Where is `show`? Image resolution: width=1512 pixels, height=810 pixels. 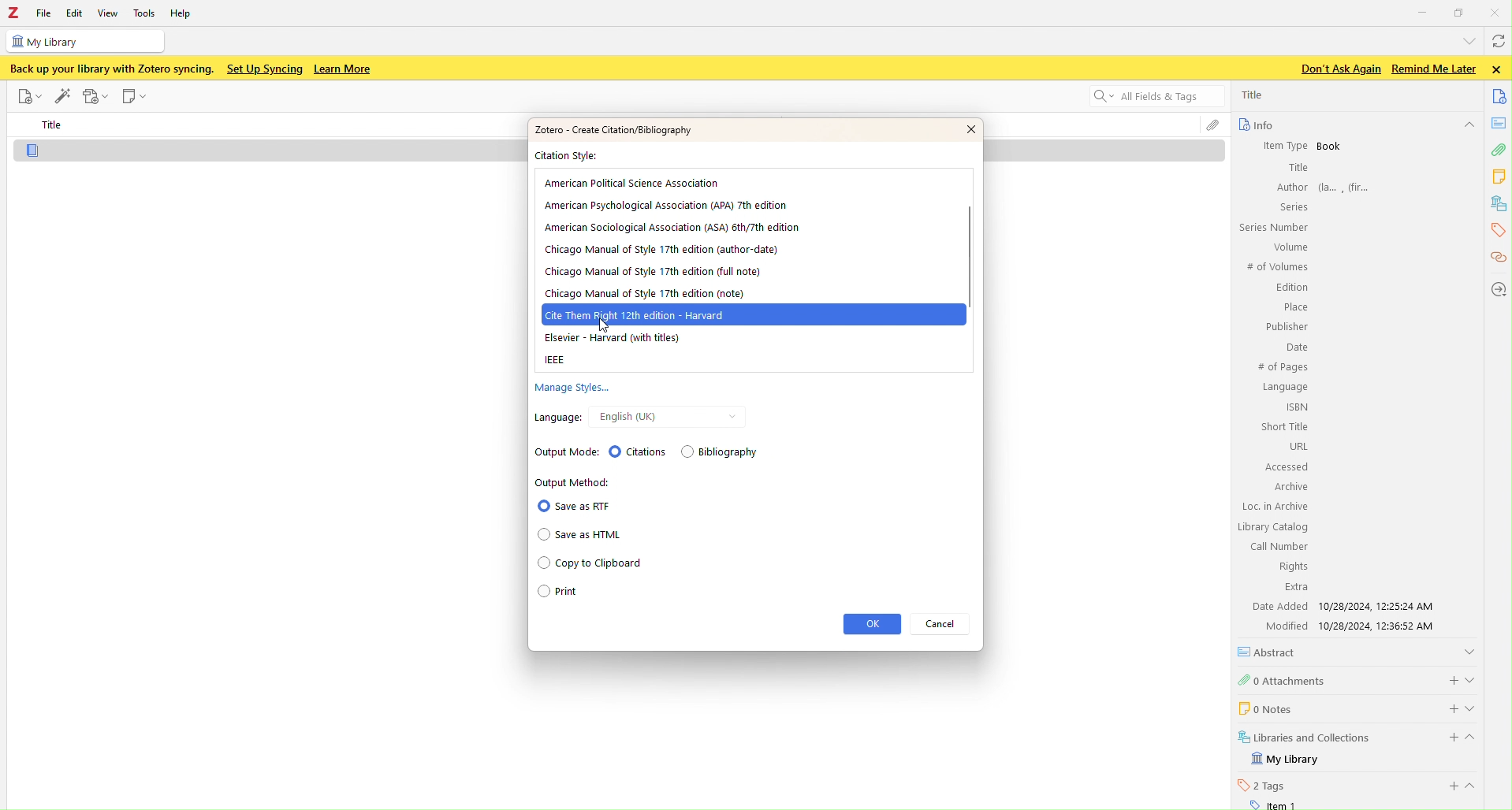 show is located at coordinates (1476, 708).